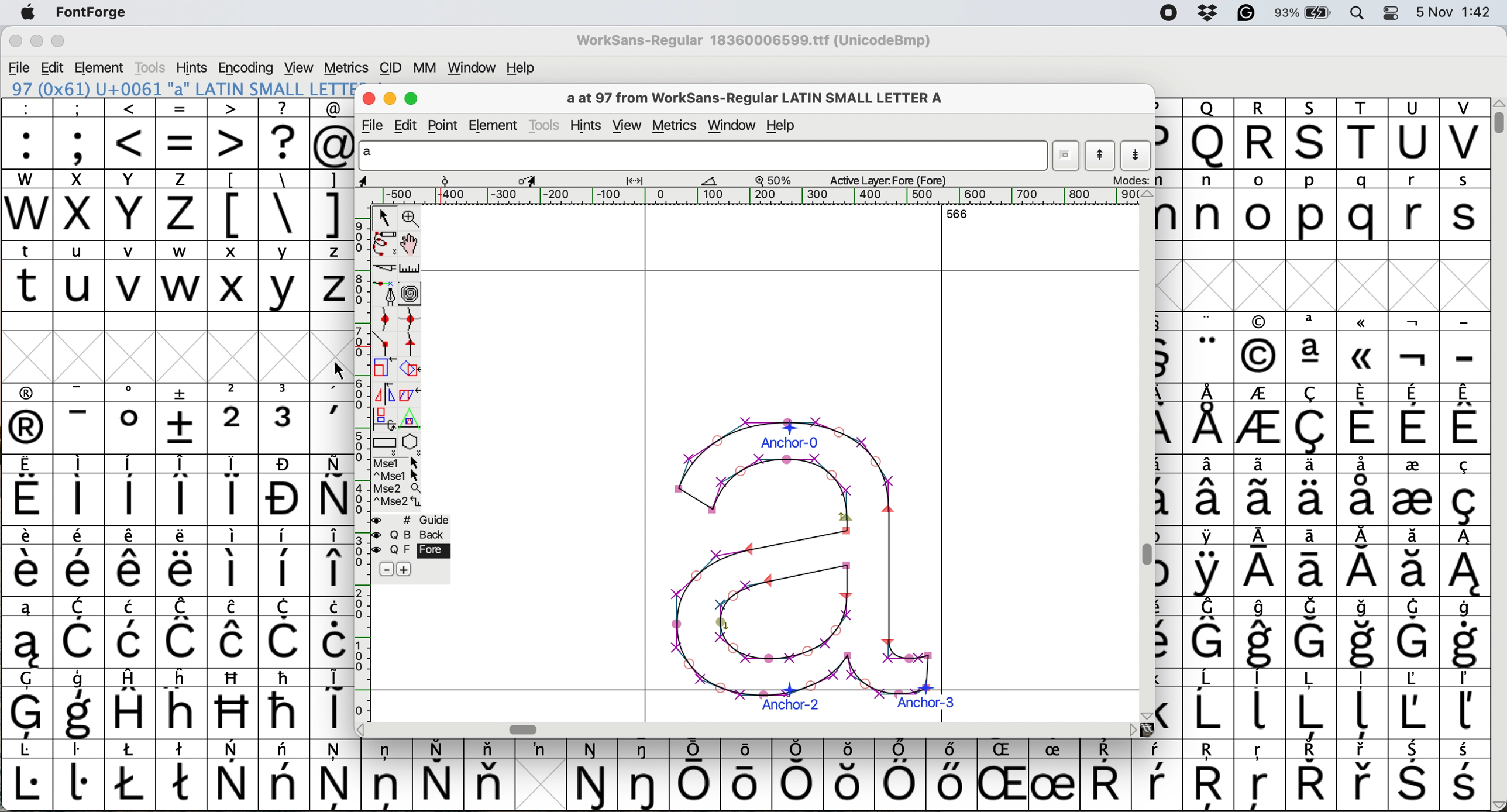 Image resolution: width=1507 pixels, height=812 pixels. I want to click on :, so click(28, 134).